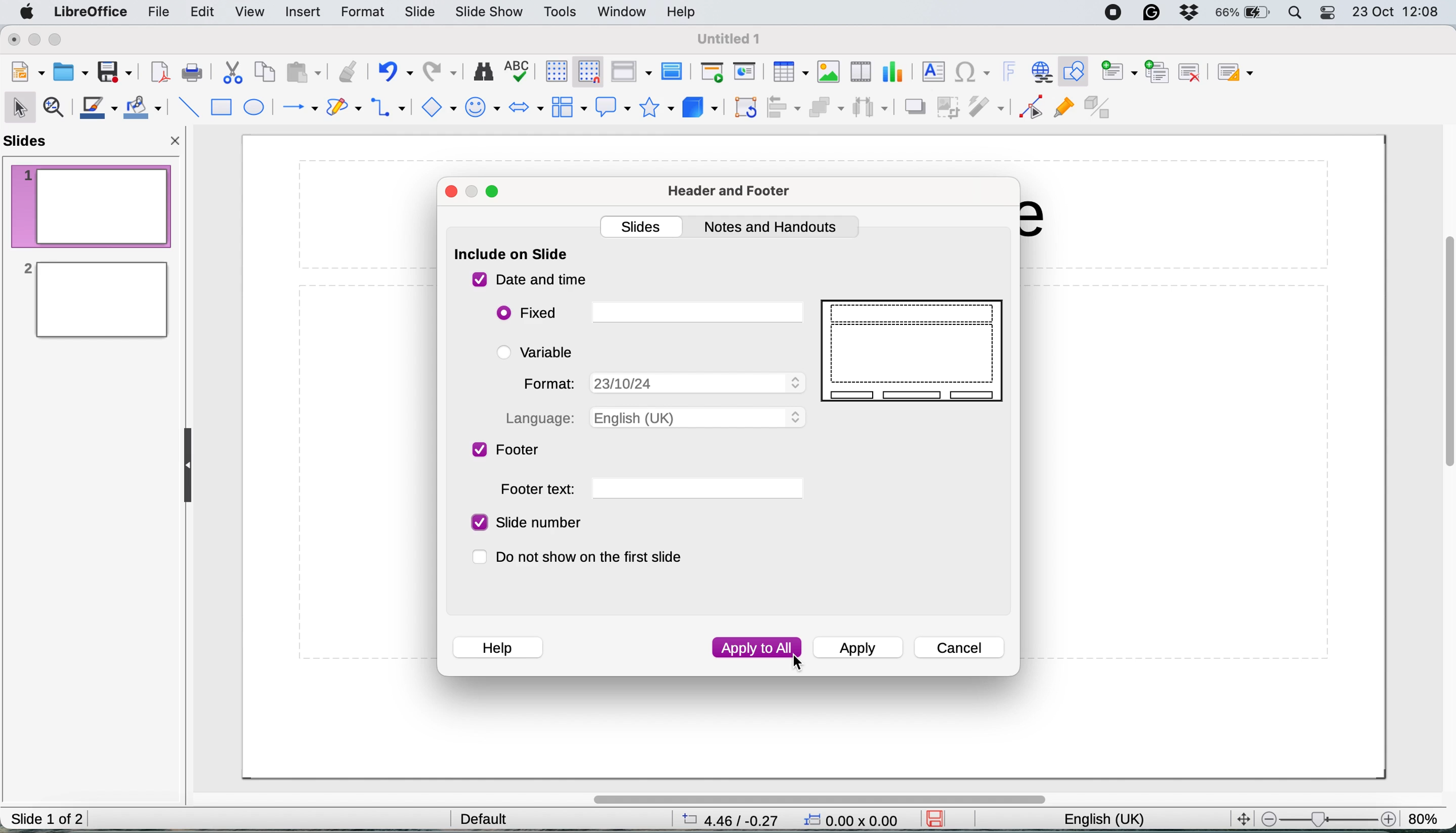 This screenshot has width=1456, height=833. What do you see at coordinates (825, 109) in the screenshot?
I see `arrange` at bounding box center [825, 109].